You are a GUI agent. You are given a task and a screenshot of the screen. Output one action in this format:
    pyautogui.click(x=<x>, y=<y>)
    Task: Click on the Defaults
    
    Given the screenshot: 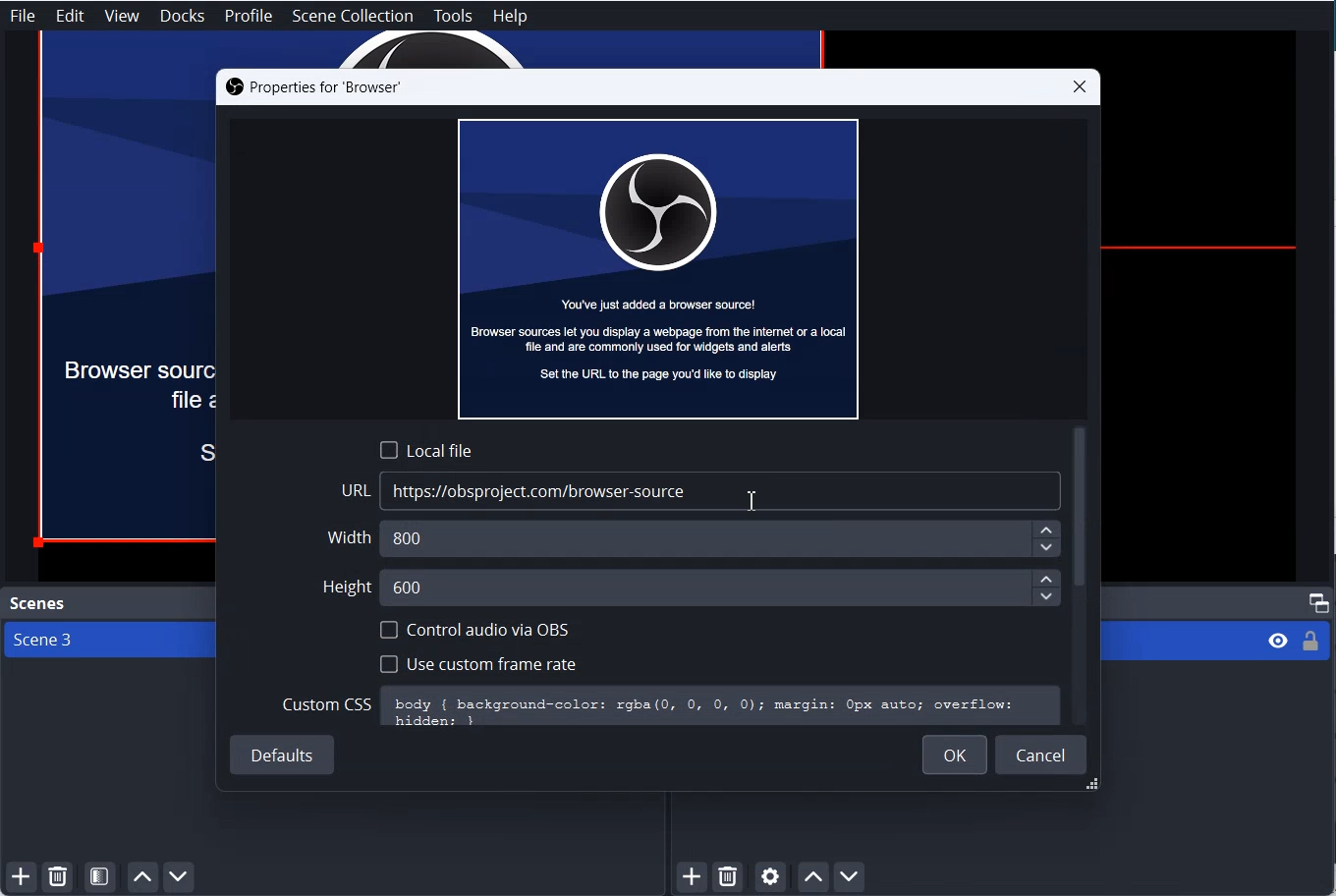 What is the action you would take?
    pyautogui.click(x=284, y=756)
    